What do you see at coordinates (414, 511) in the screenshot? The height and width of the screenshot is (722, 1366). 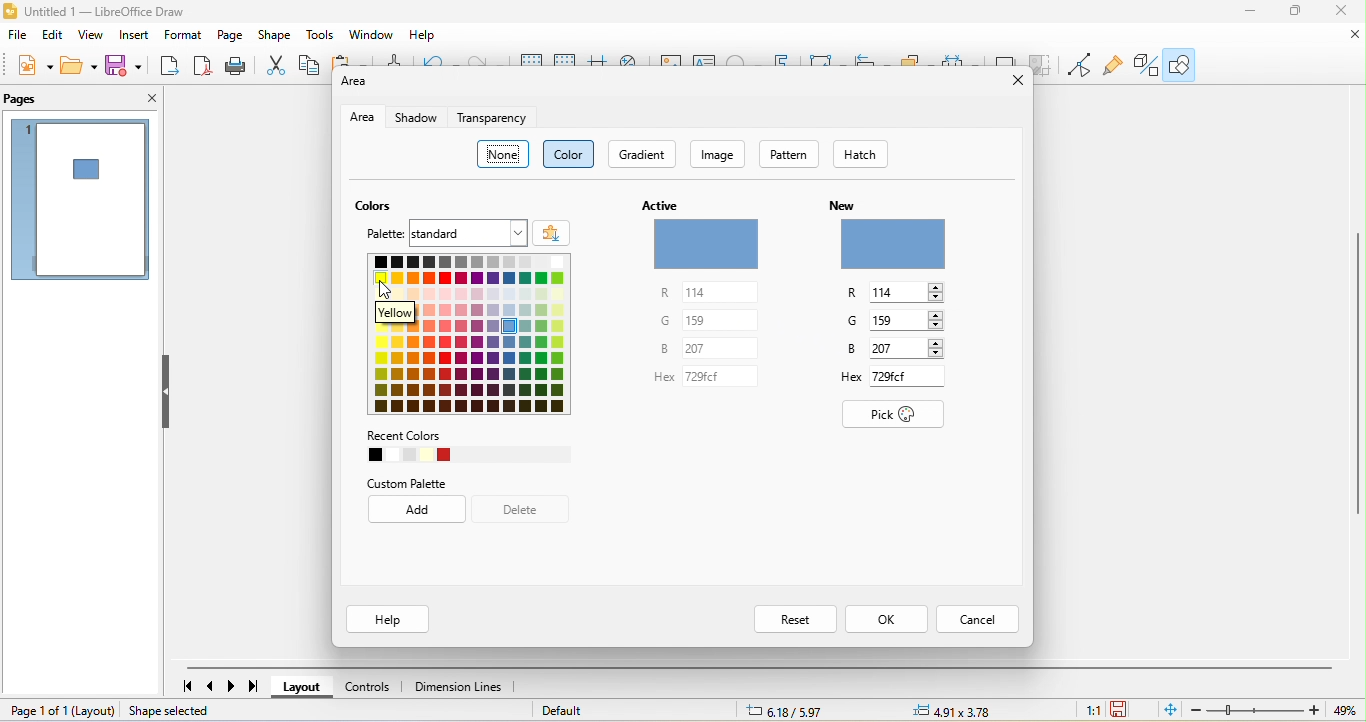 I see `add` at bounding box center [414, 511].